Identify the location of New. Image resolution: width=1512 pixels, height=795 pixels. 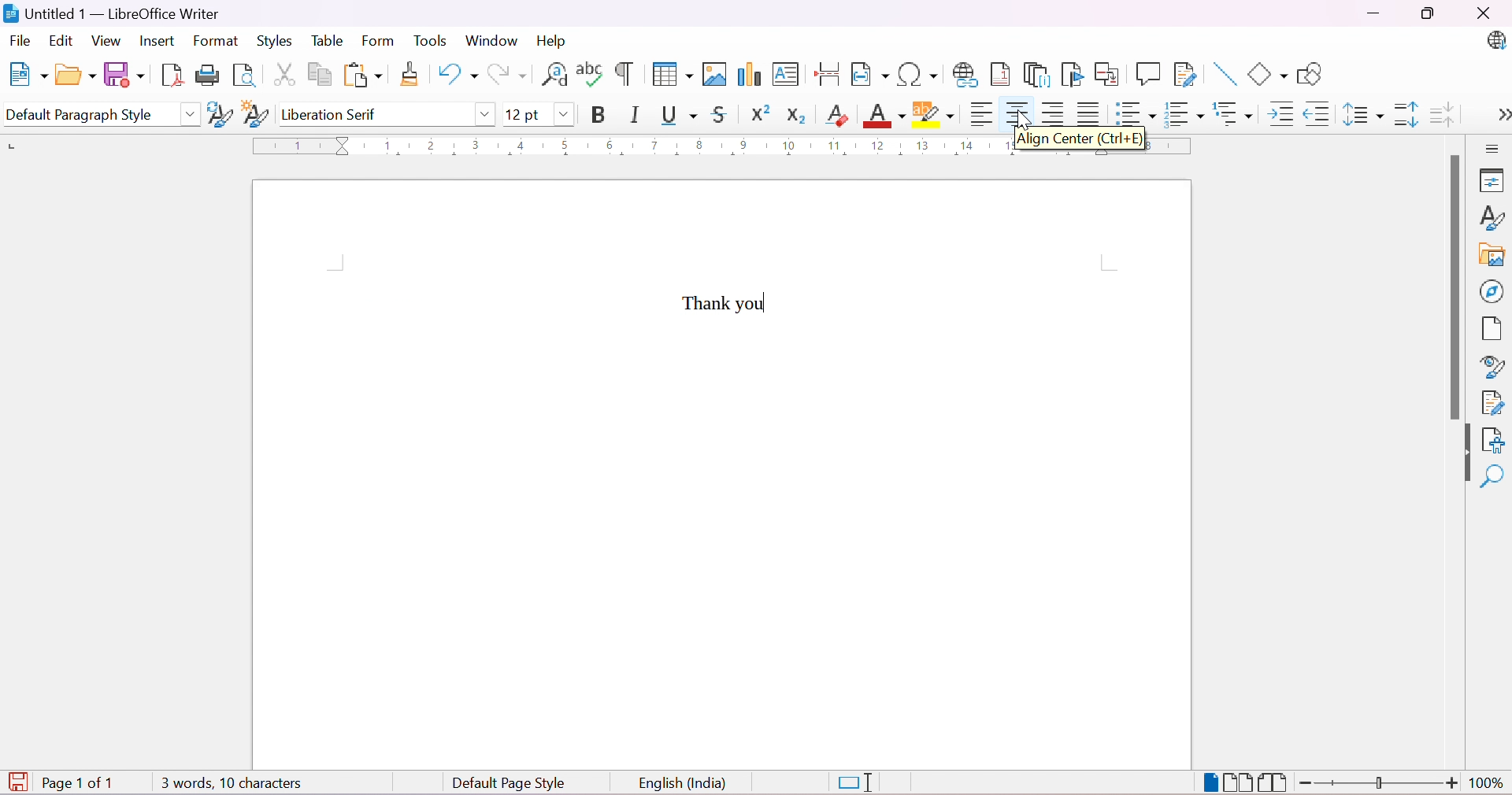
(30, 76).